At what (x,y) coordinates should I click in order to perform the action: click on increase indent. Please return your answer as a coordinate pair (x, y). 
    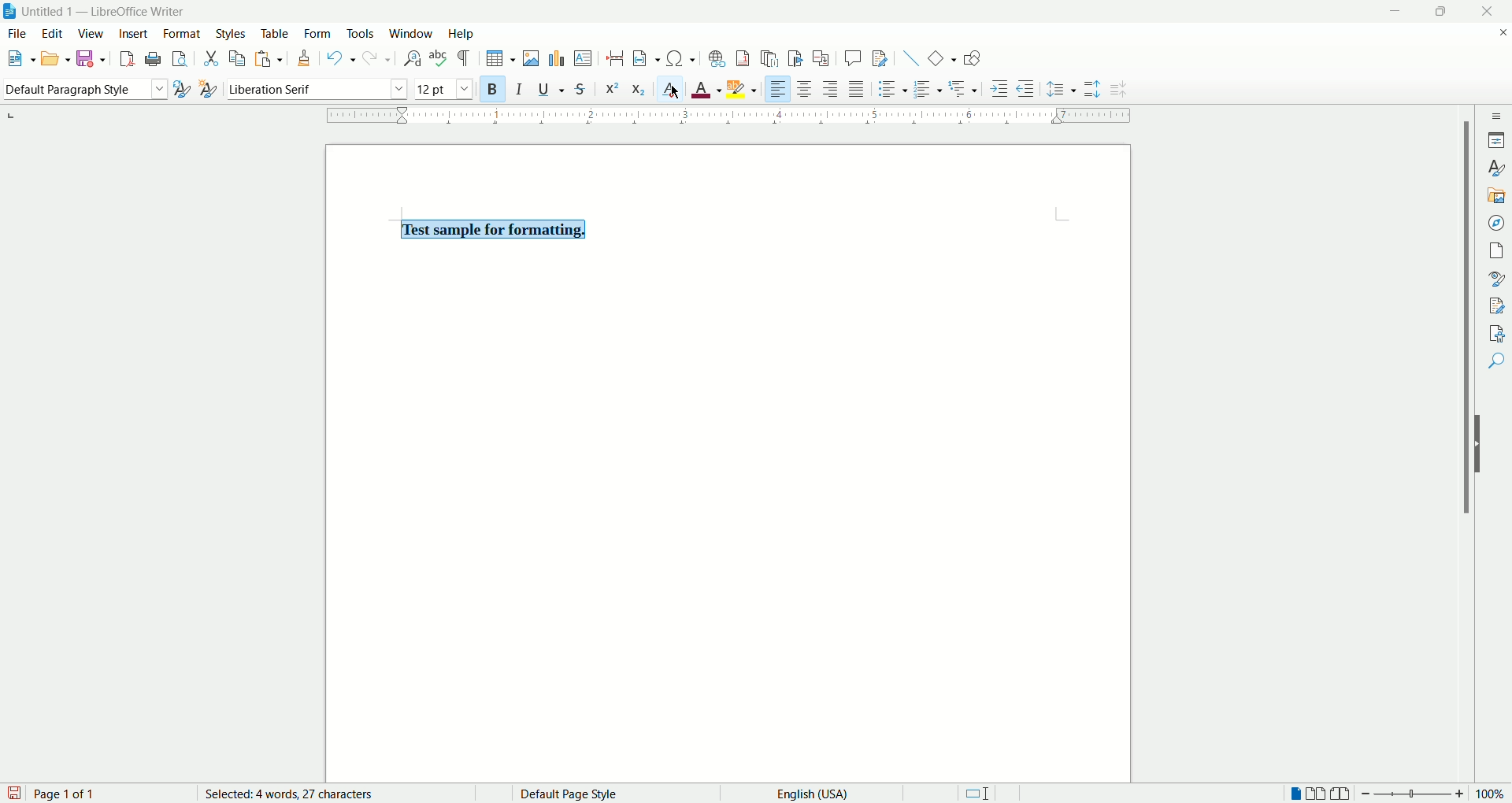
    Looking at the image, I should click on (998, 87).